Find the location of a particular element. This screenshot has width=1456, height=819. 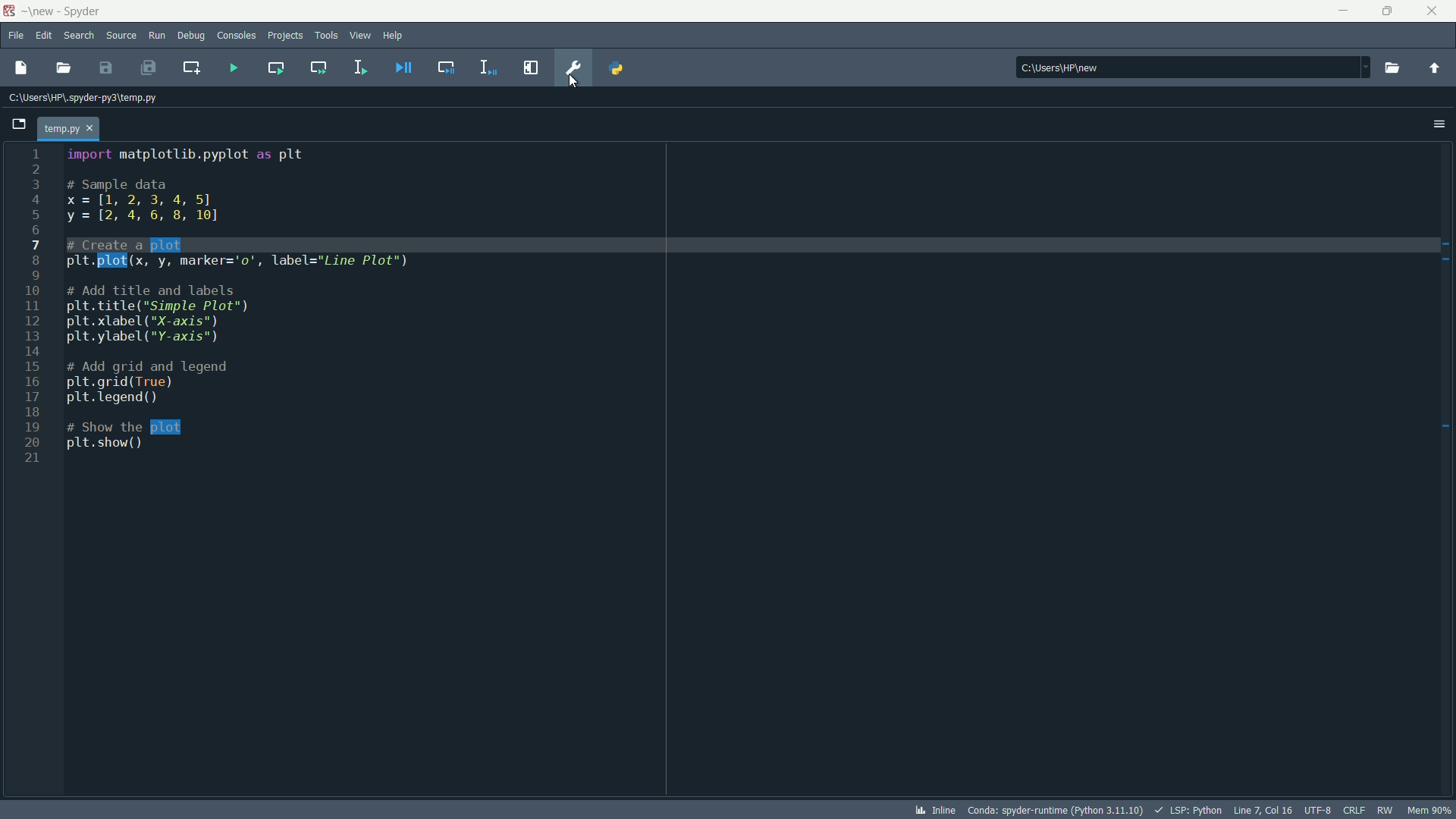

consoles is located at coordinates (237, 36).